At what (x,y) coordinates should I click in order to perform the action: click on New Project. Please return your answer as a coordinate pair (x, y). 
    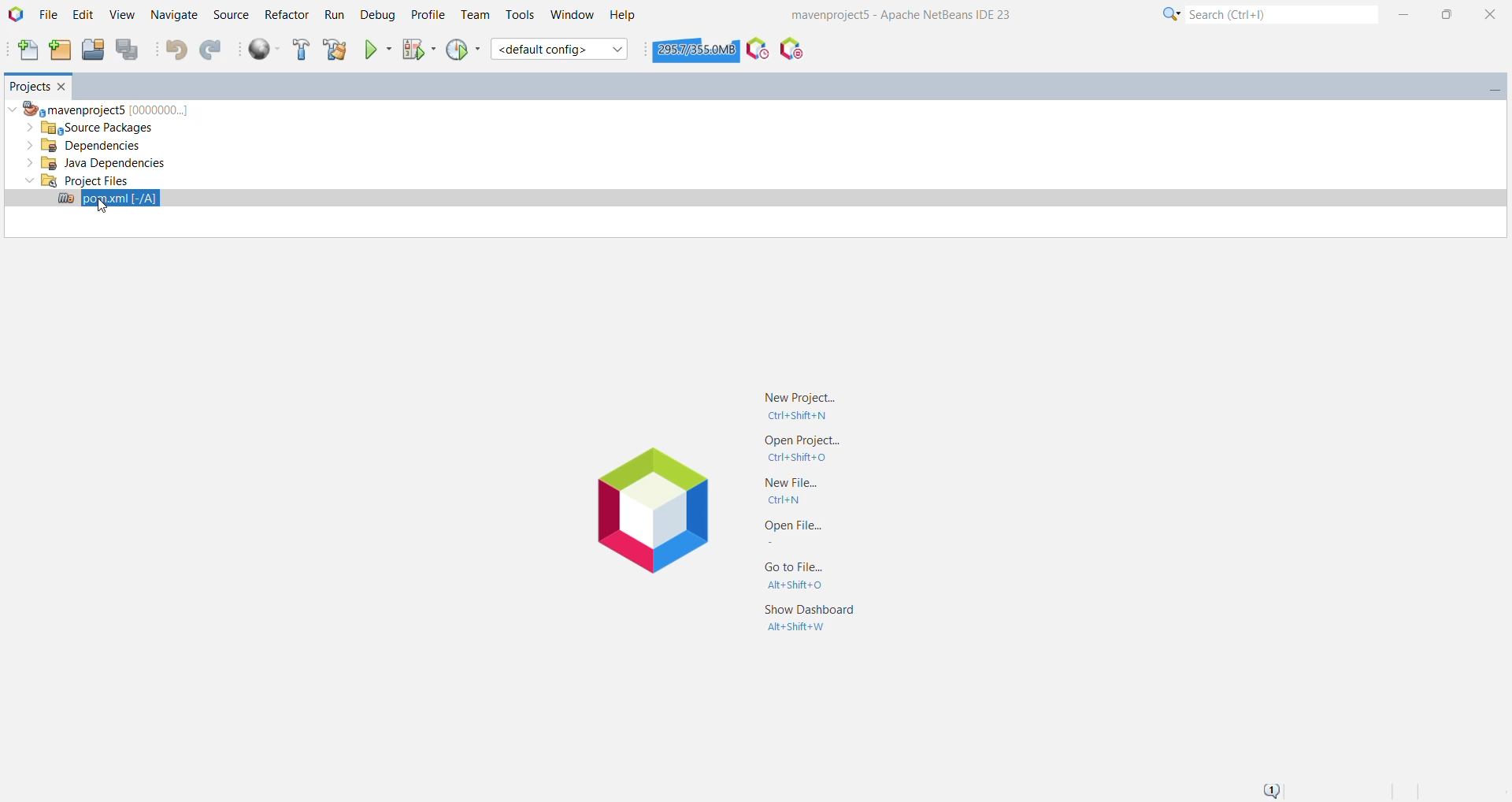
    Looking at the image, I should click on (61, 50).